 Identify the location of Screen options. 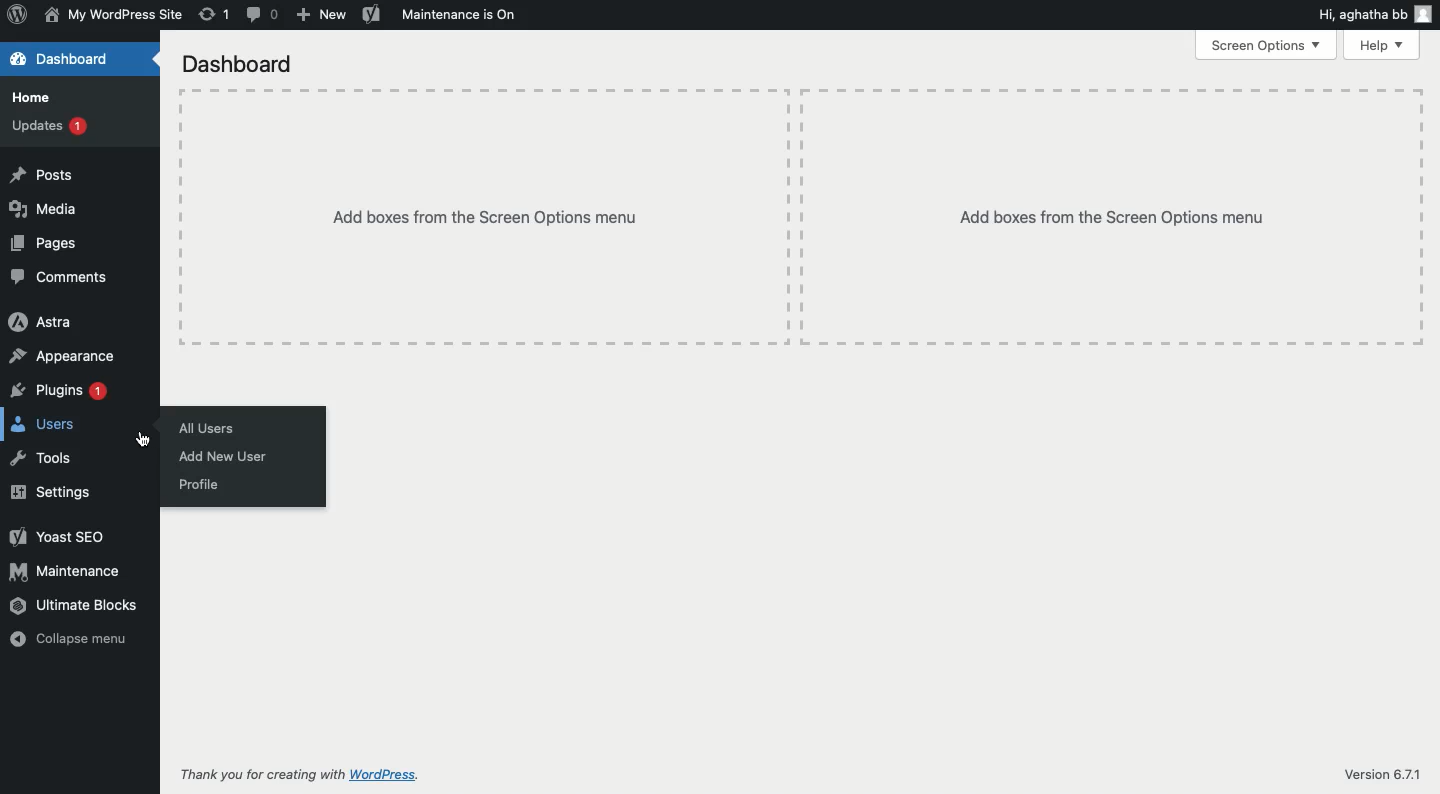
(1265, 46).